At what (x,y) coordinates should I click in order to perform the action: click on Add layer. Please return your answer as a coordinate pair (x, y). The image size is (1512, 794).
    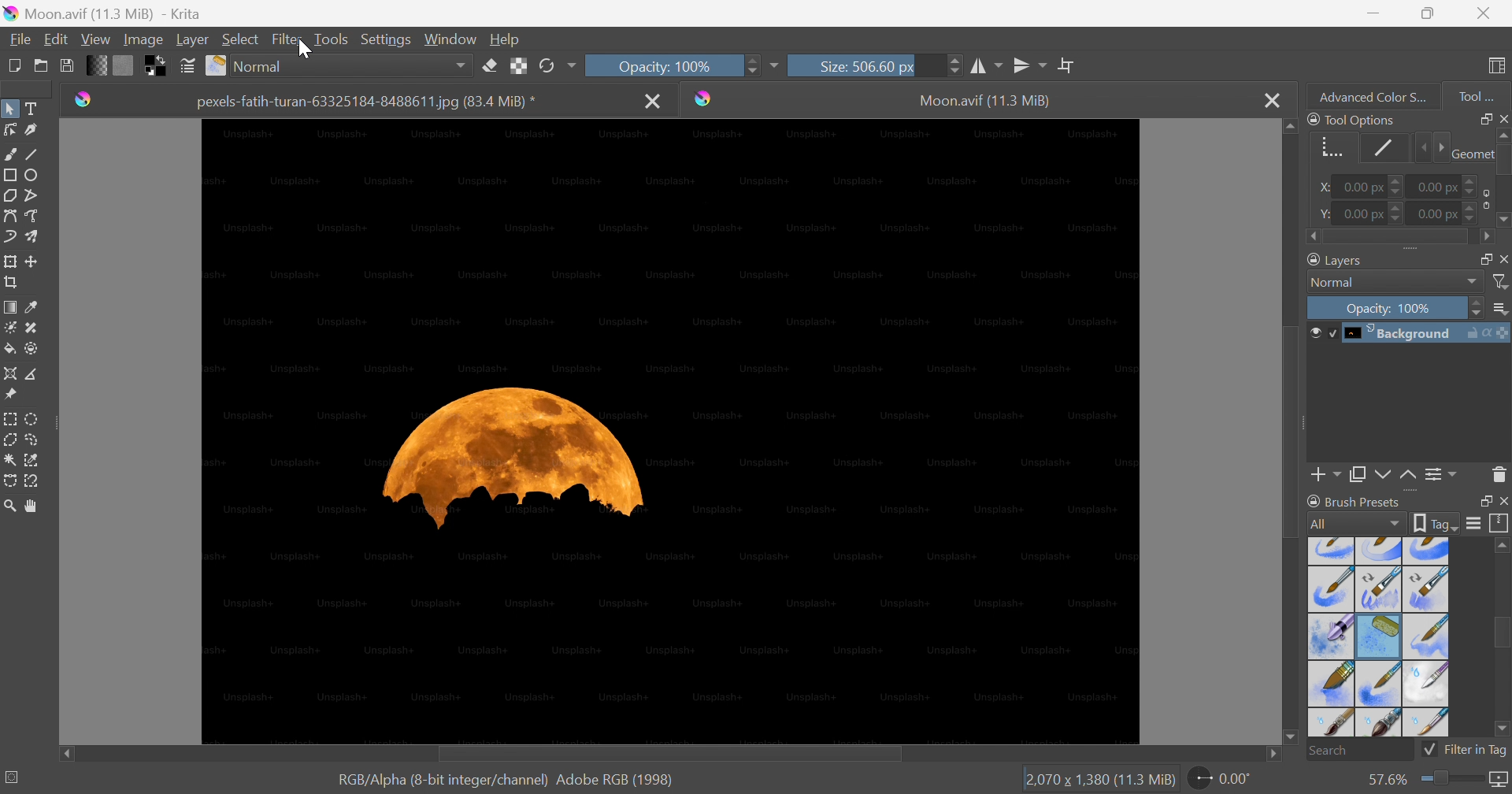
    Looking at the image, I should click on (1326, 477).